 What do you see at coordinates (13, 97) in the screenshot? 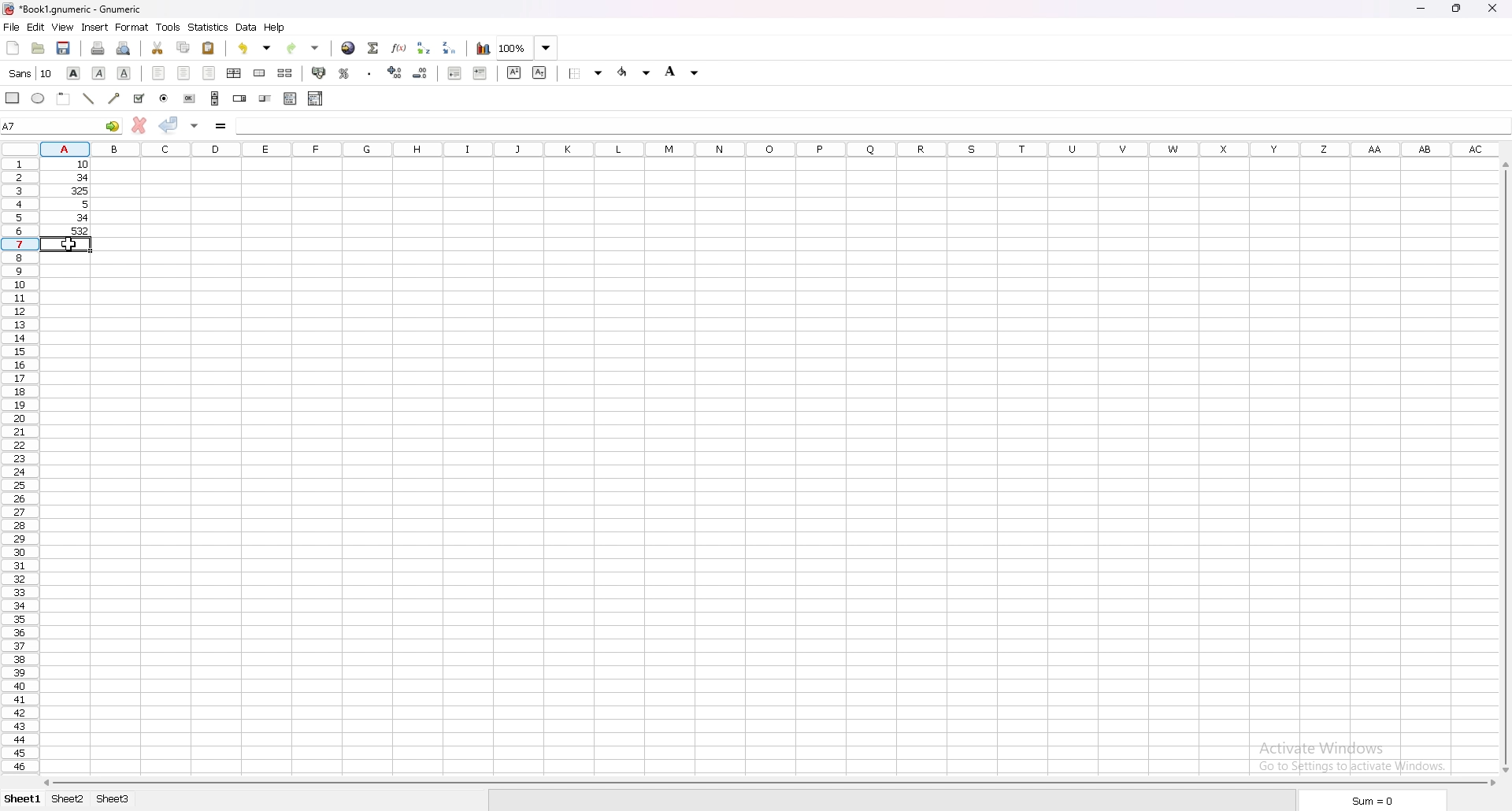
I see `rectangle` at bounding box center [13, 97].